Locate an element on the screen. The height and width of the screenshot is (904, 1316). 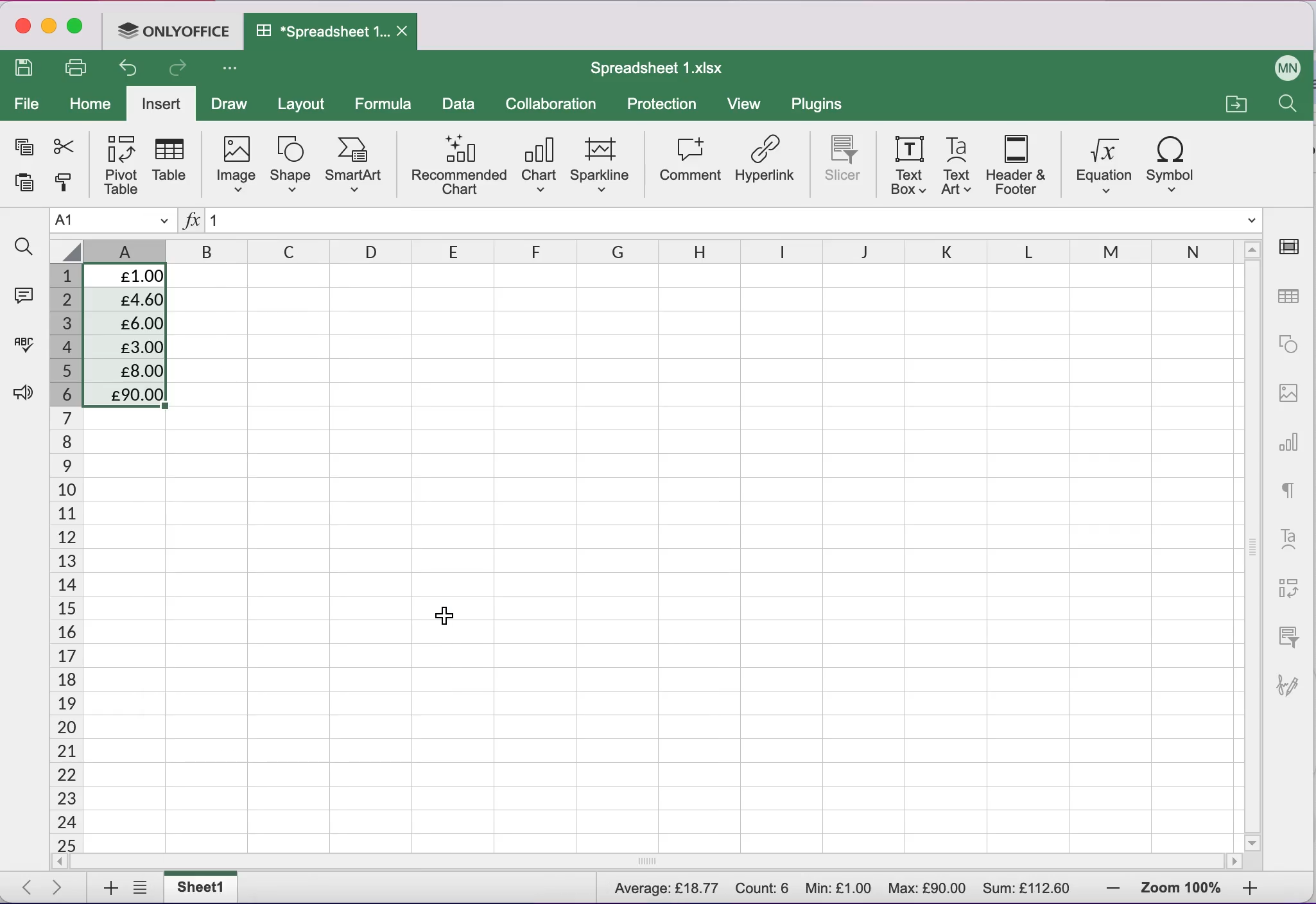
insert is located at coordinates (160, 103).